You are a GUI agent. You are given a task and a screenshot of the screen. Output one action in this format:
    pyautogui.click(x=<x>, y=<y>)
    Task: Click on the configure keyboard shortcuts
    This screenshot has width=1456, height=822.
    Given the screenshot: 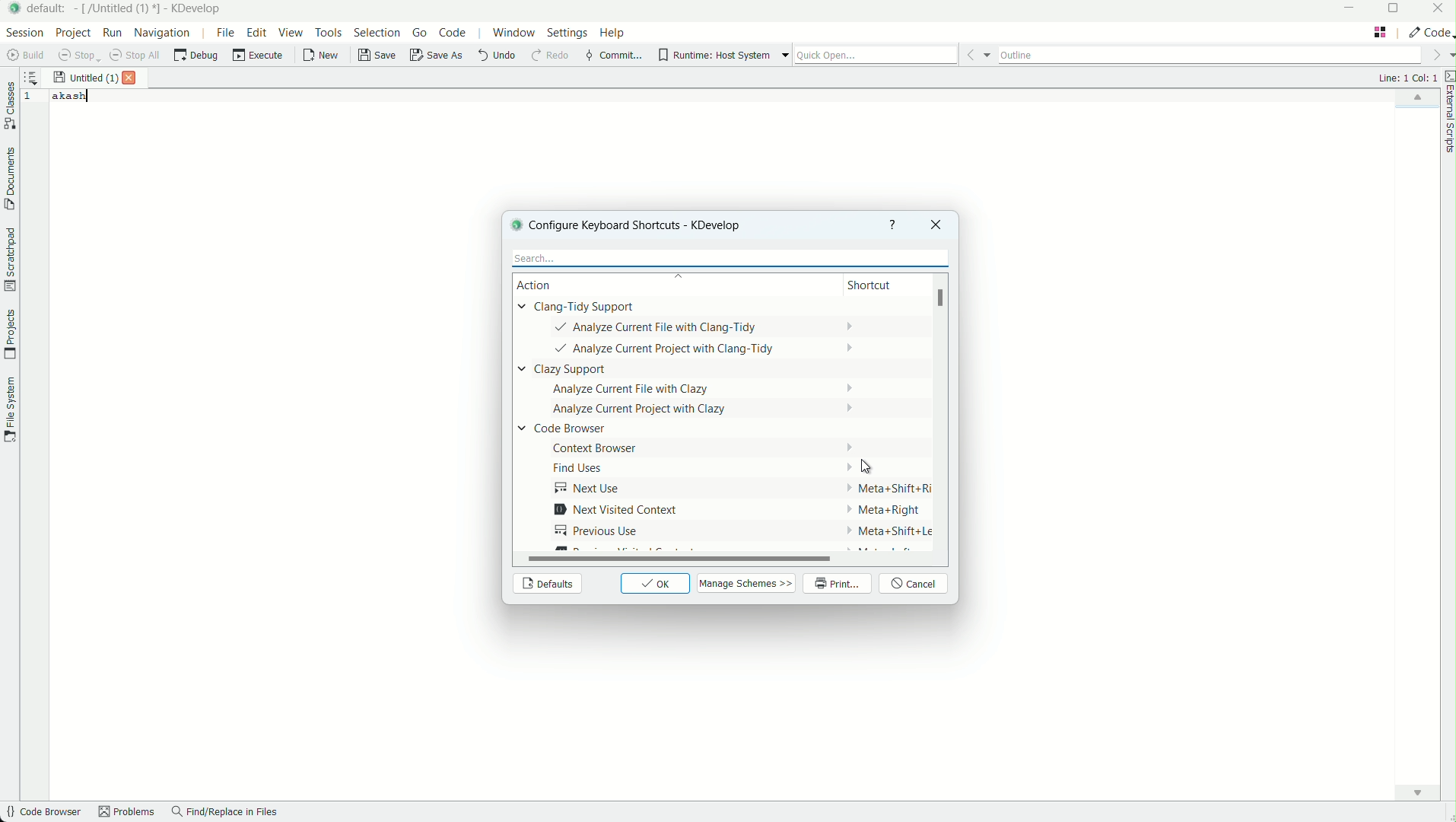 What is the action you would take?
    pyautogui.click(x=647, y=225)
    